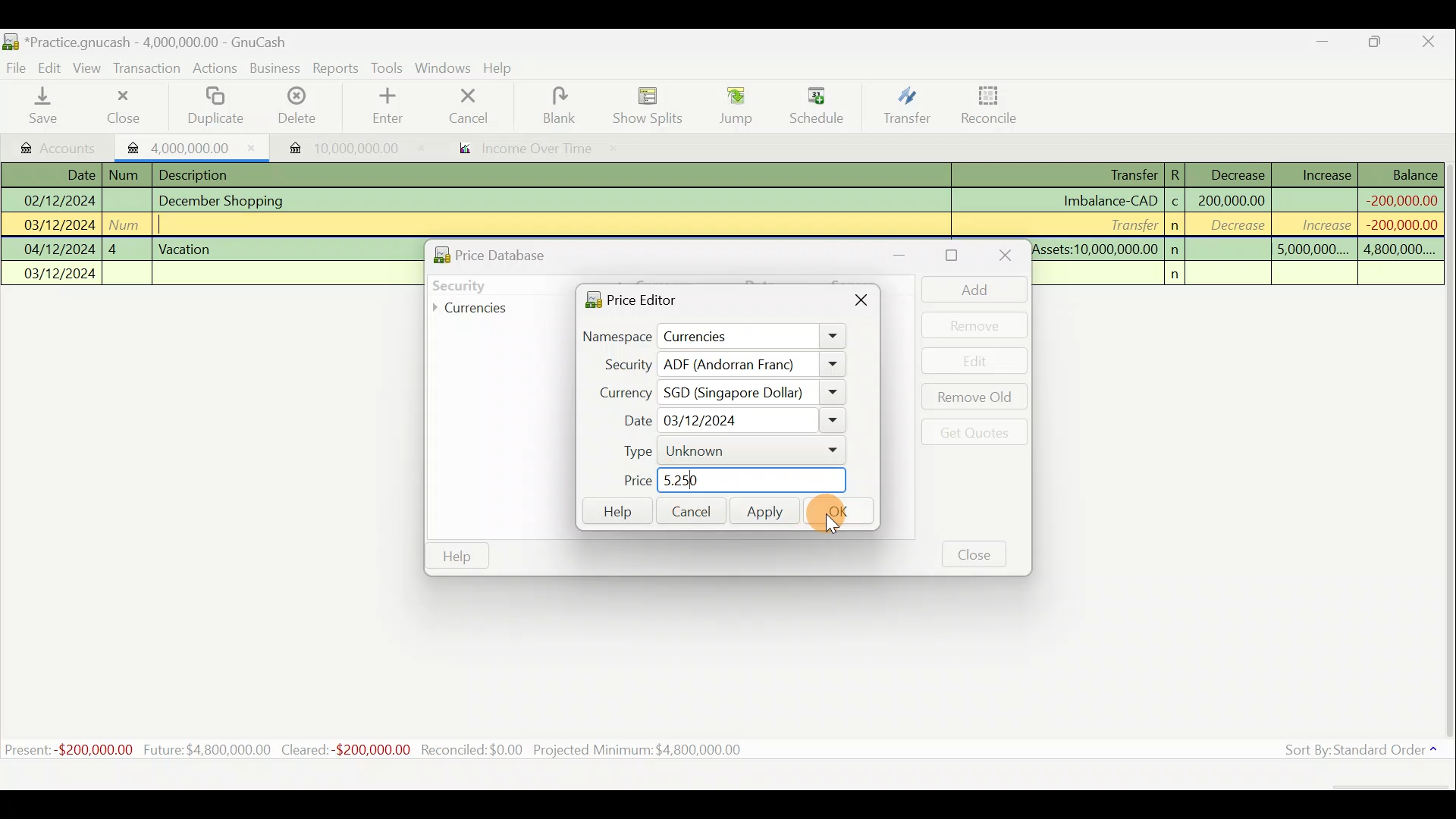  I want to click on Balance, so click(1402, 174).